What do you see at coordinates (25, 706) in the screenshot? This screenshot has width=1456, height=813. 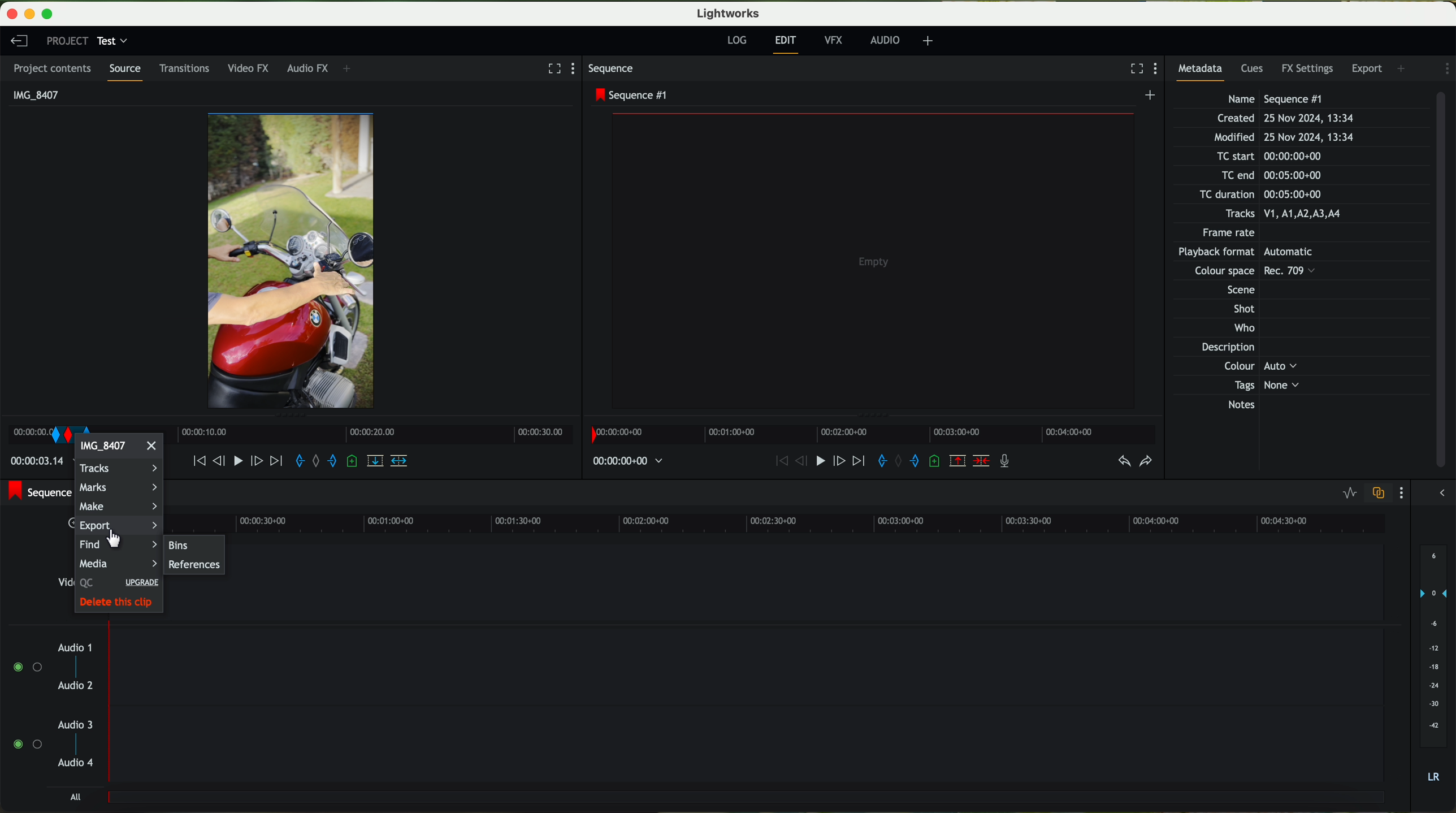 I see `enable audio tracks` at bounding box center [25, 706].